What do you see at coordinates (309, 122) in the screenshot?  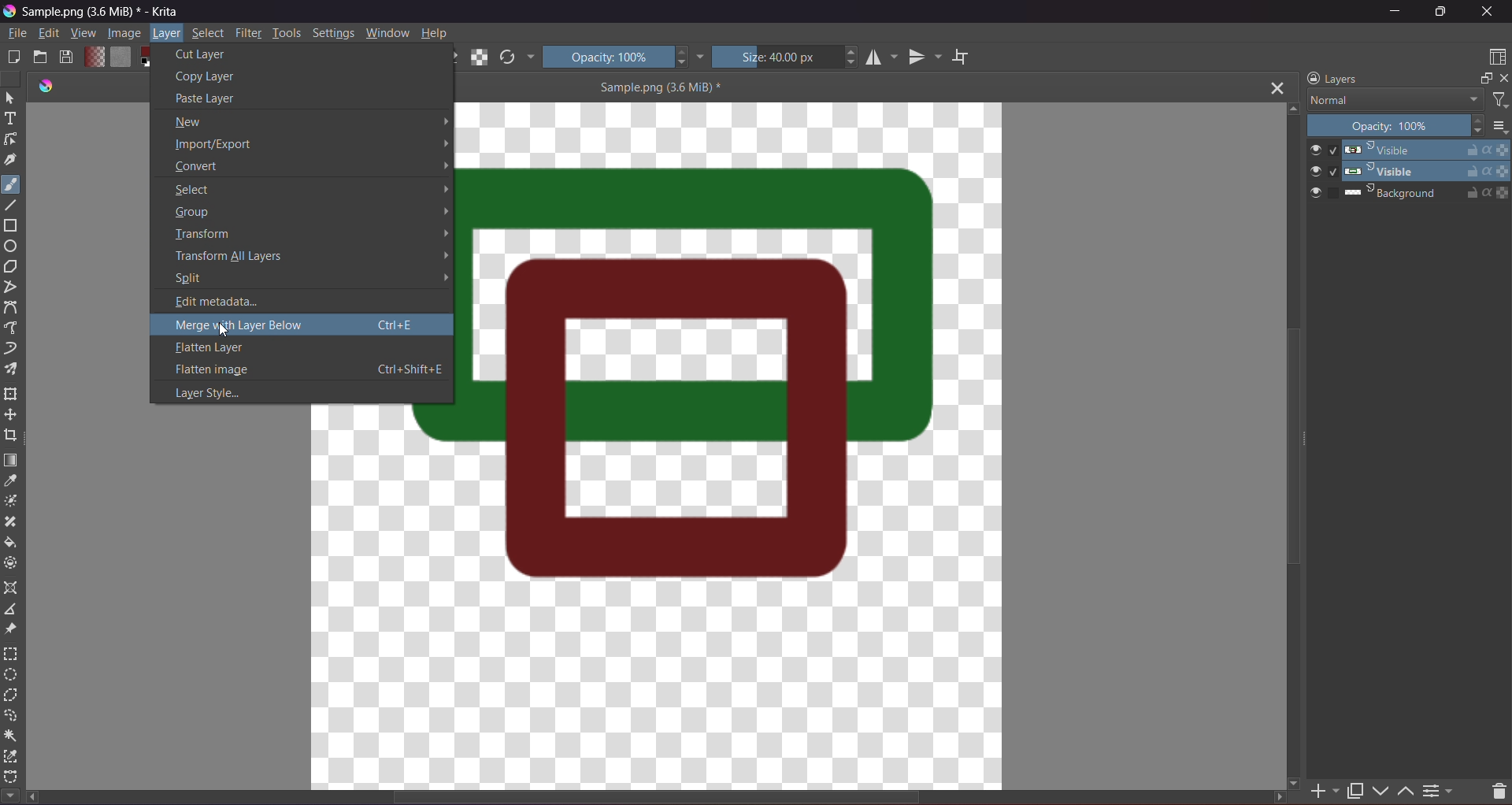 I see `New` at bounding box center [309, 122].